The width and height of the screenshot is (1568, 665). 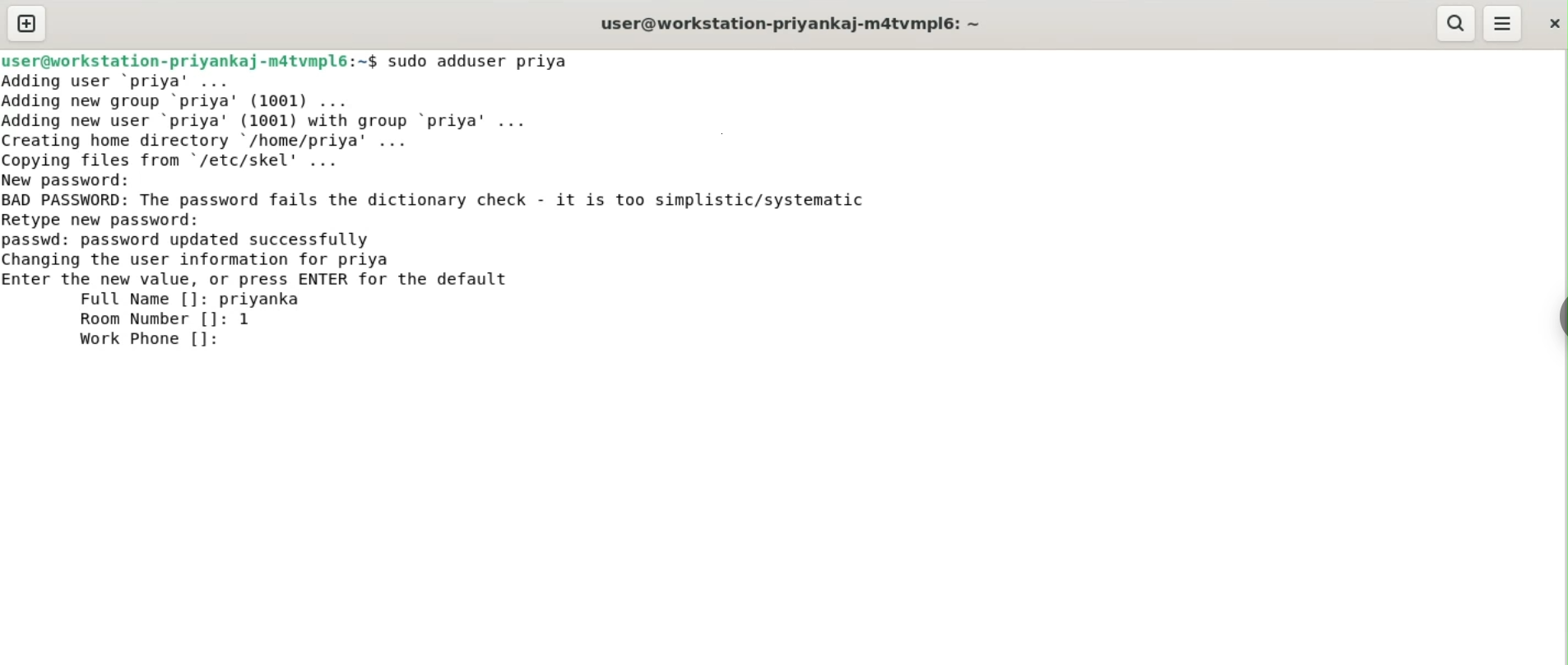 I want to click on Room Number []: 1, so click(x=165, y=319).